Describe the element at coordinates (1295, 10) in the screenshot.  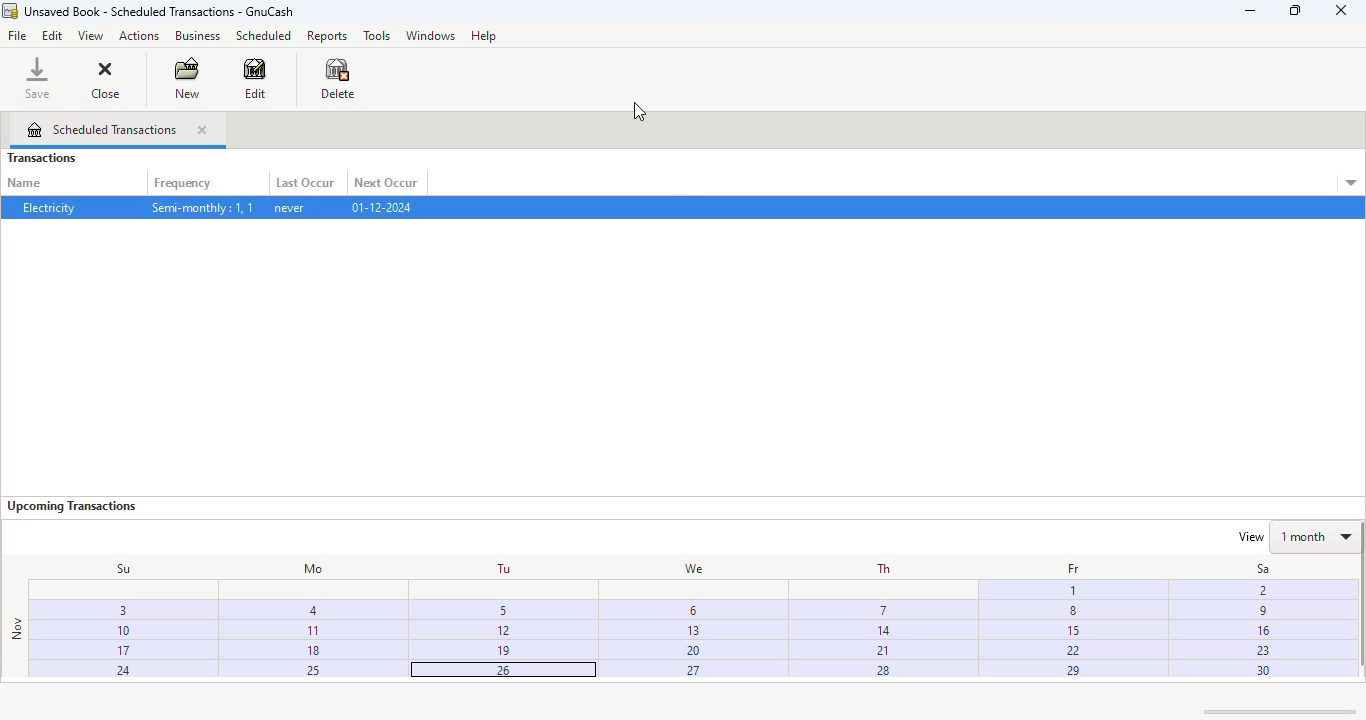
I see `maximize` at that location.